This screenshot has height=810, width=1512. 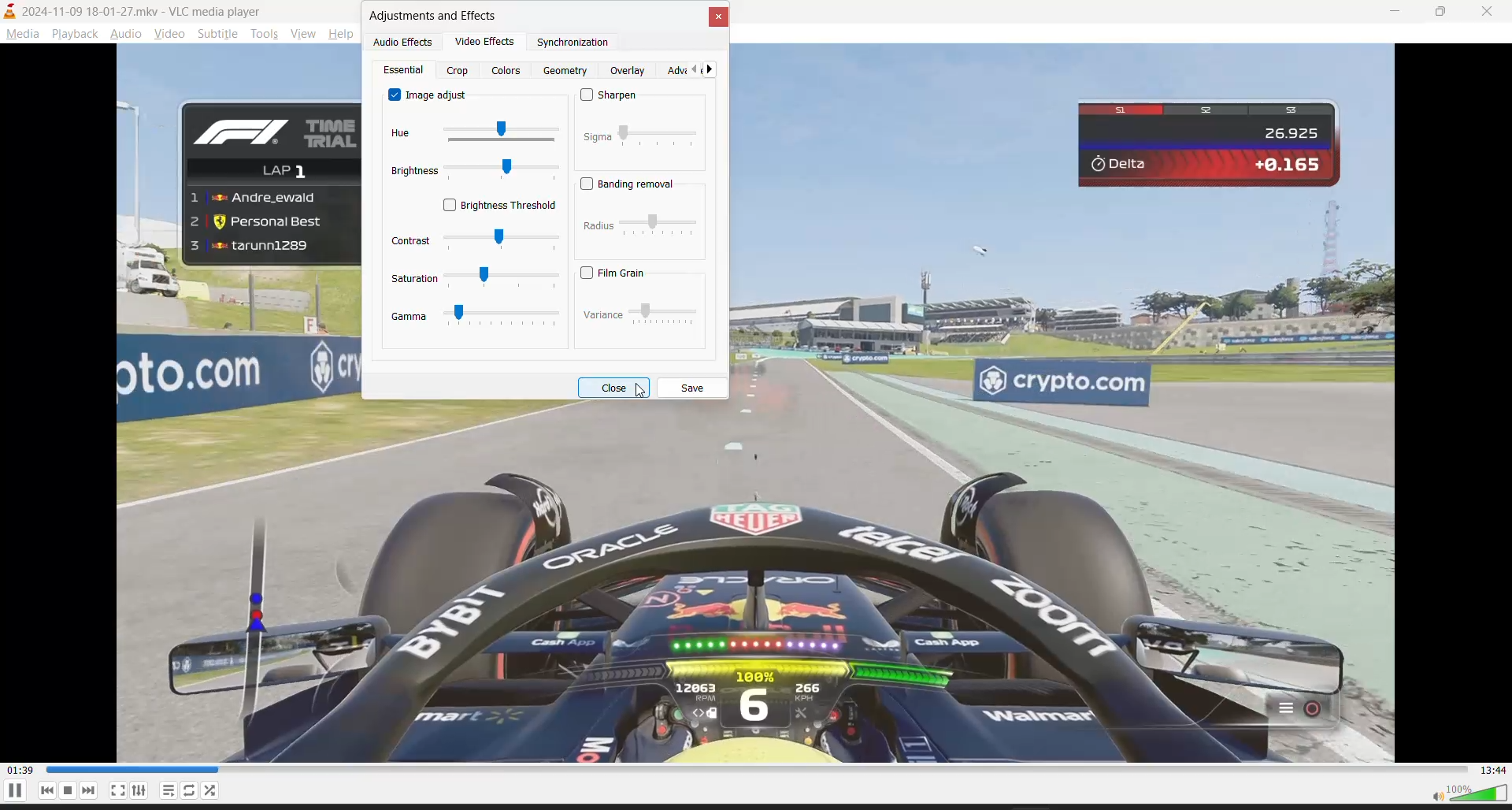 What do you see at coordinates (20, 770) in the screenshot?
I see `current track time` at bounding box center [20, 770].